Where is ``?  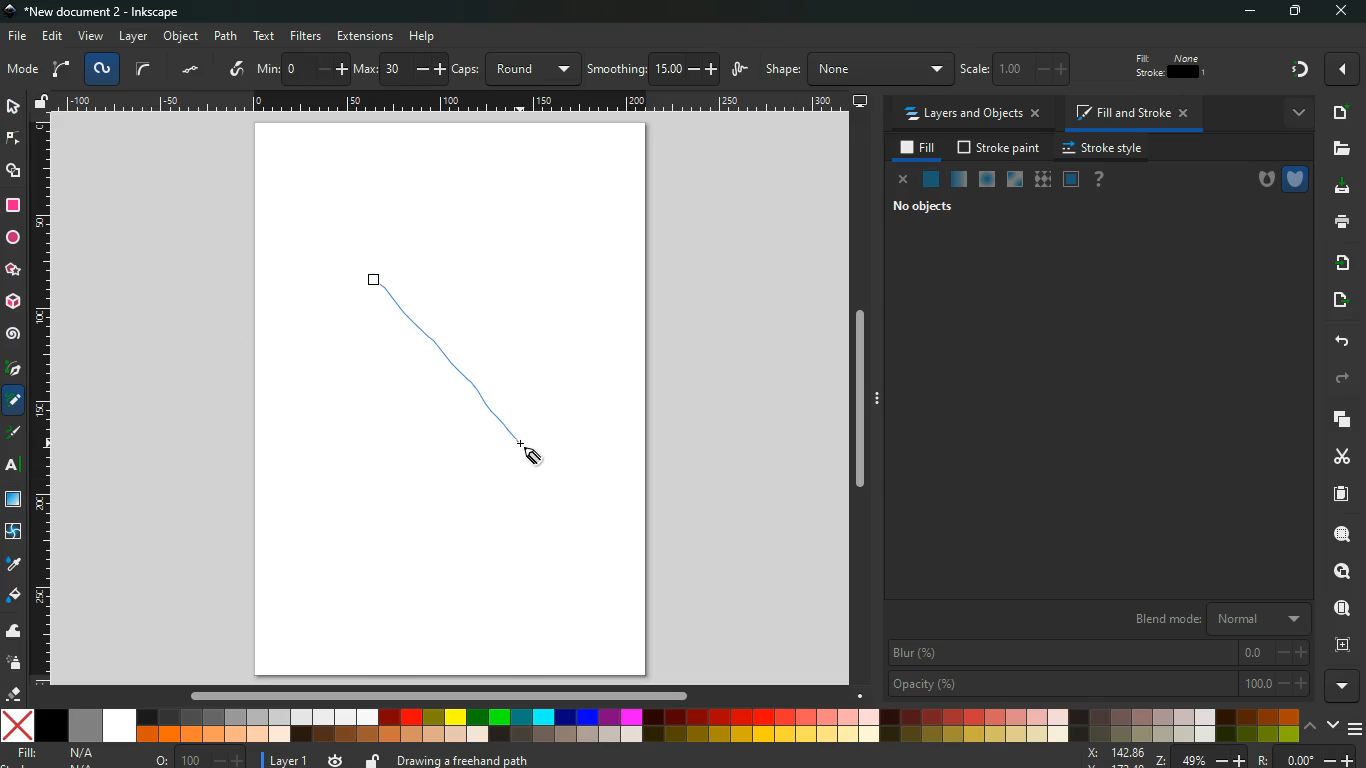  is located at coordinates (423, 35).